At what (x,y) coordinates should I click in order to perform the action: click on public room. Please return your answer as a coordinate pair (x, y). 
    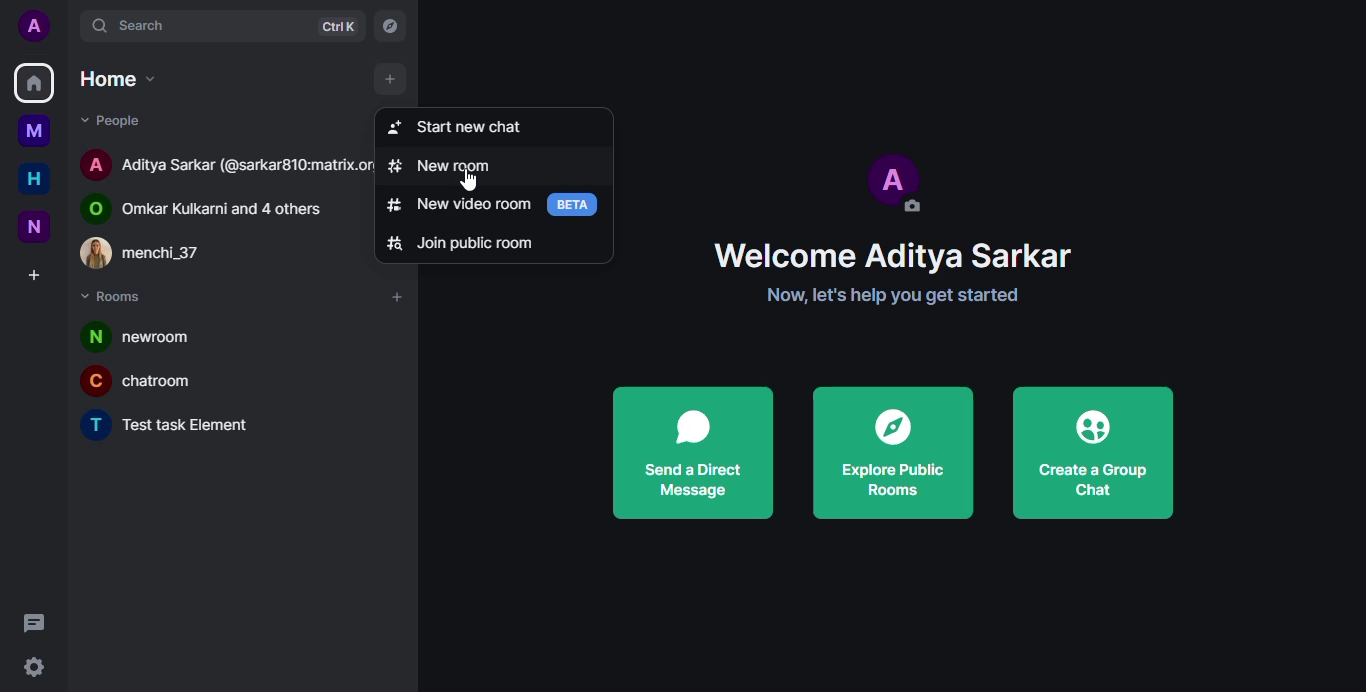
    Looking at the image, I should click on (215, 205).